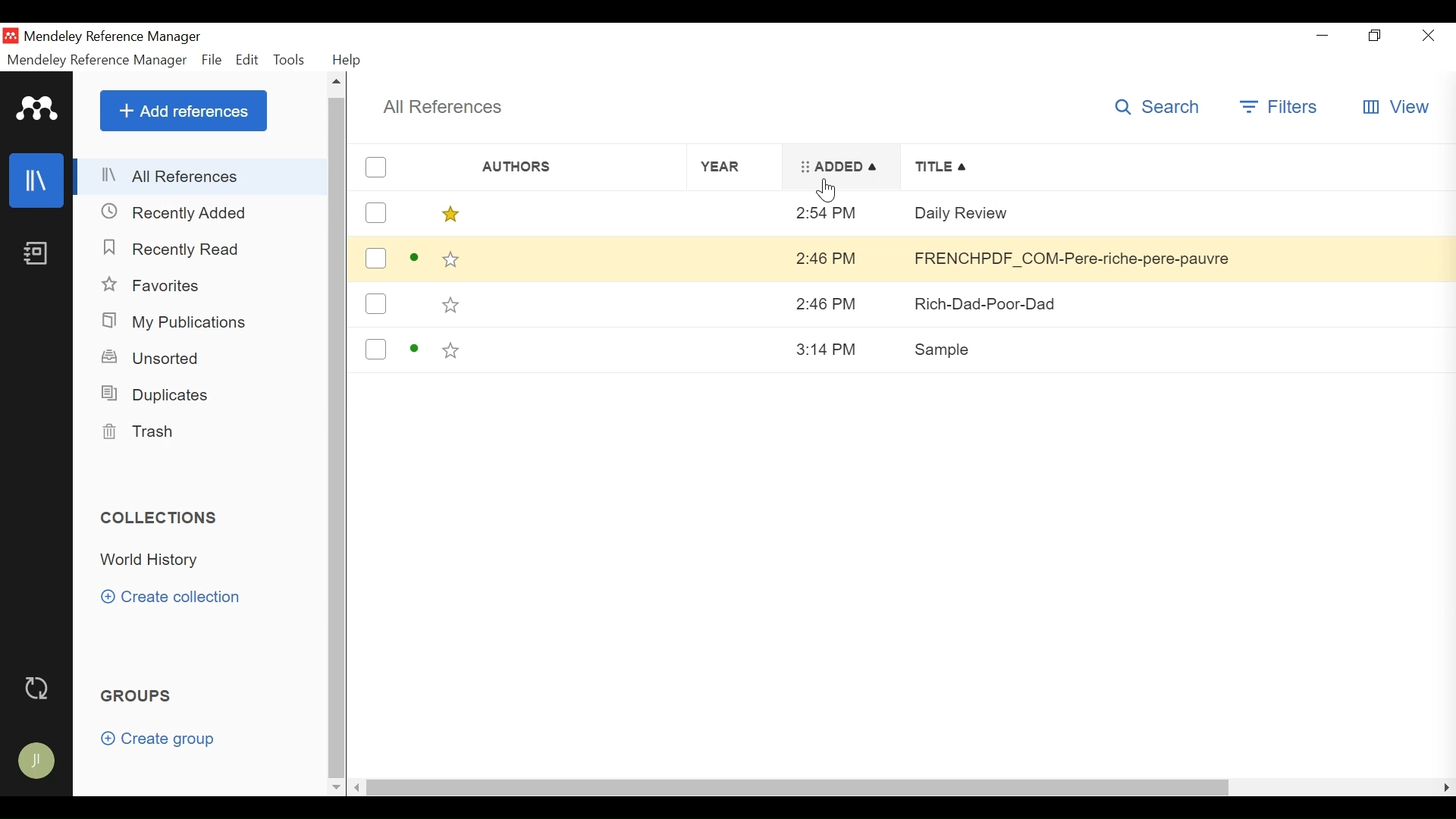 The image size is (1456, 819). What do you see at coordinates (841, 213) in the screenshot?
I see `2:54 PM` at bounding box center [841, 213].